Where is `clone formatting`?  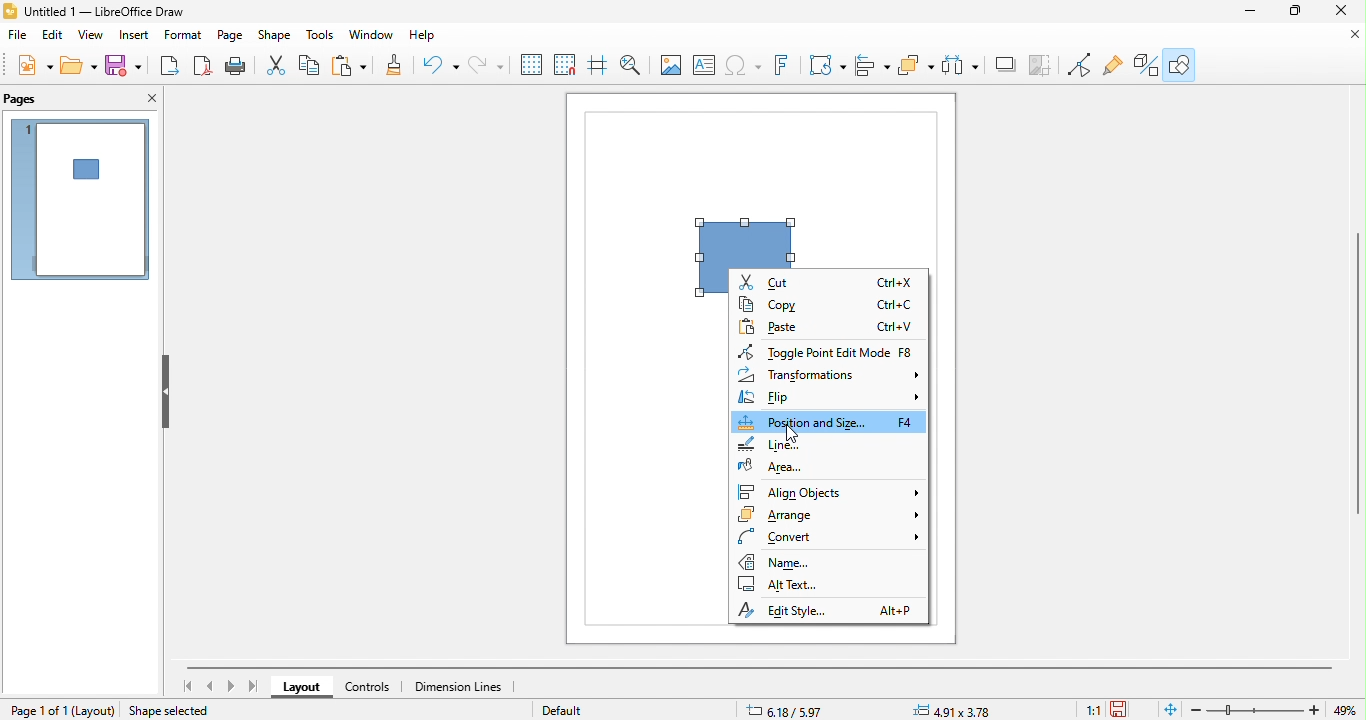
clone formatting is located at coordinates (398, 66).